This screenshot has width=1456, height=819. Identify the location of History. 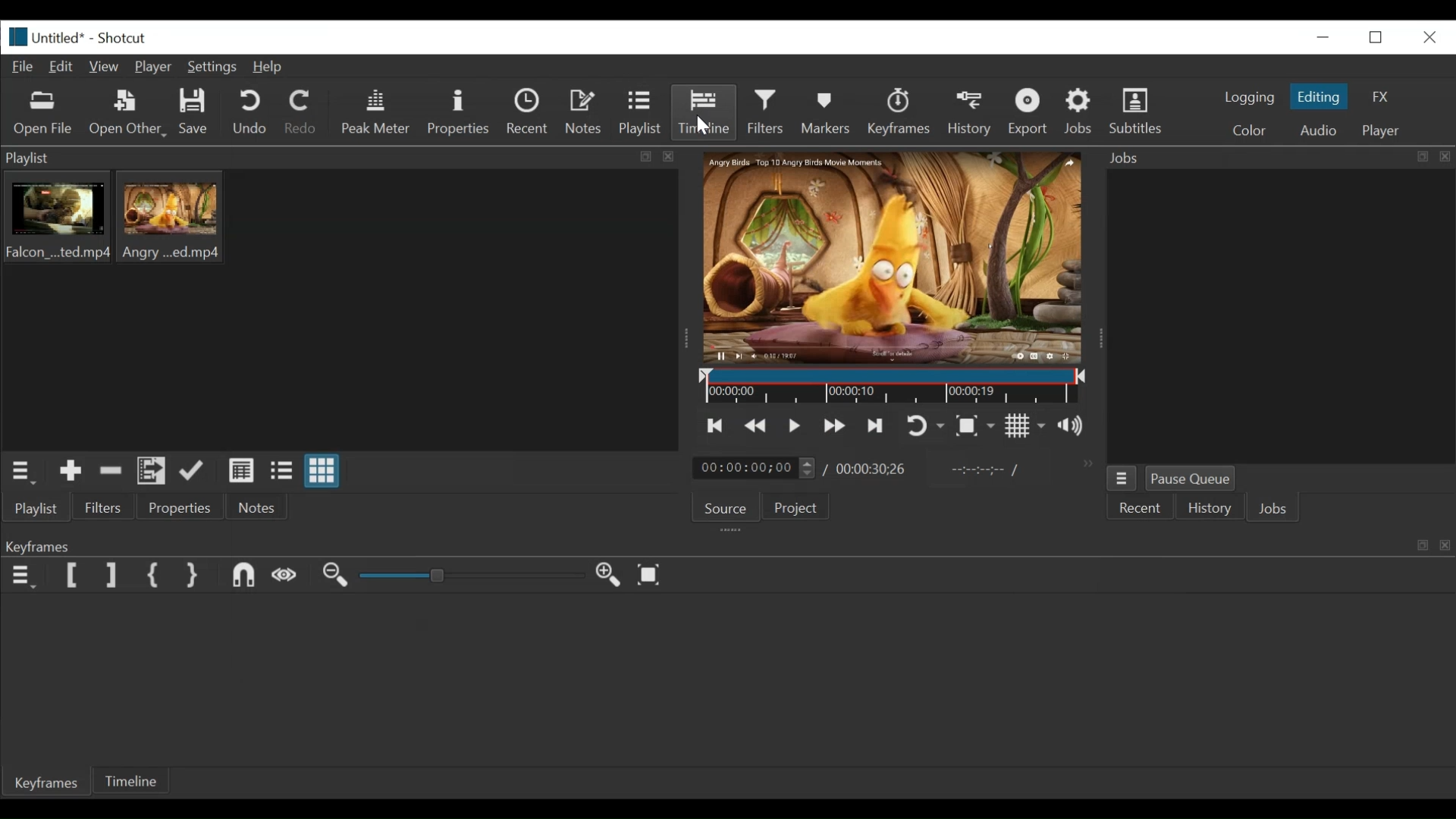
(1210, 510).